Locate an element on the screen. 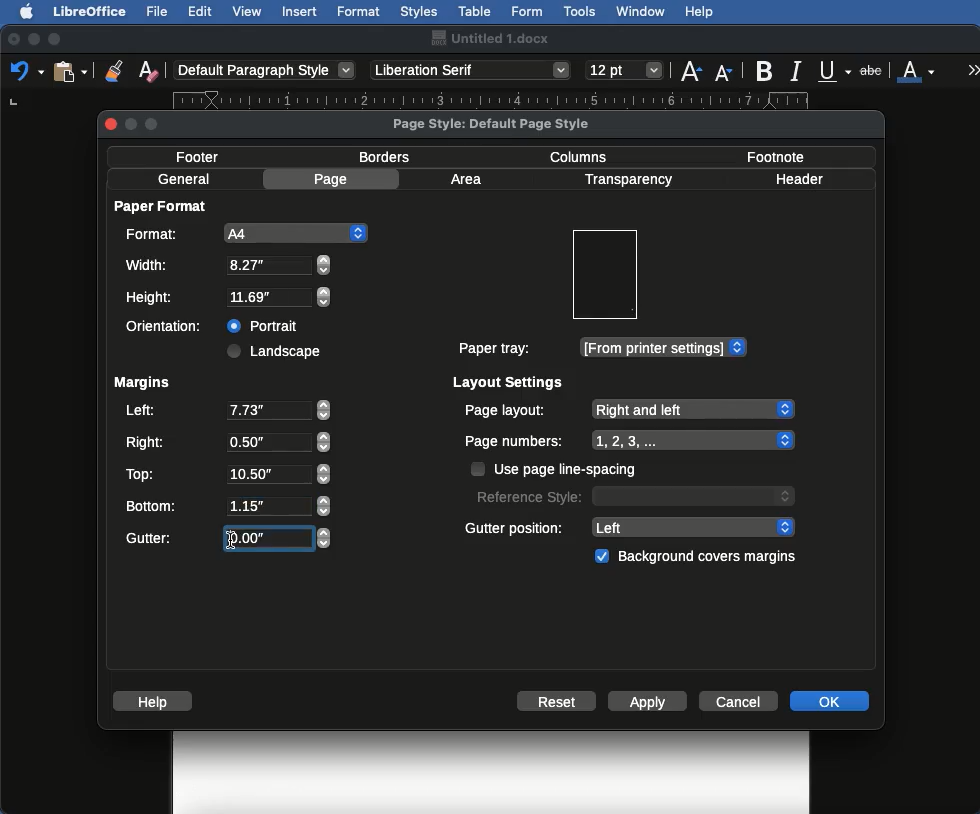 This screenshot has width=980, height=814. Size increase is located at coordinates (690, 69).